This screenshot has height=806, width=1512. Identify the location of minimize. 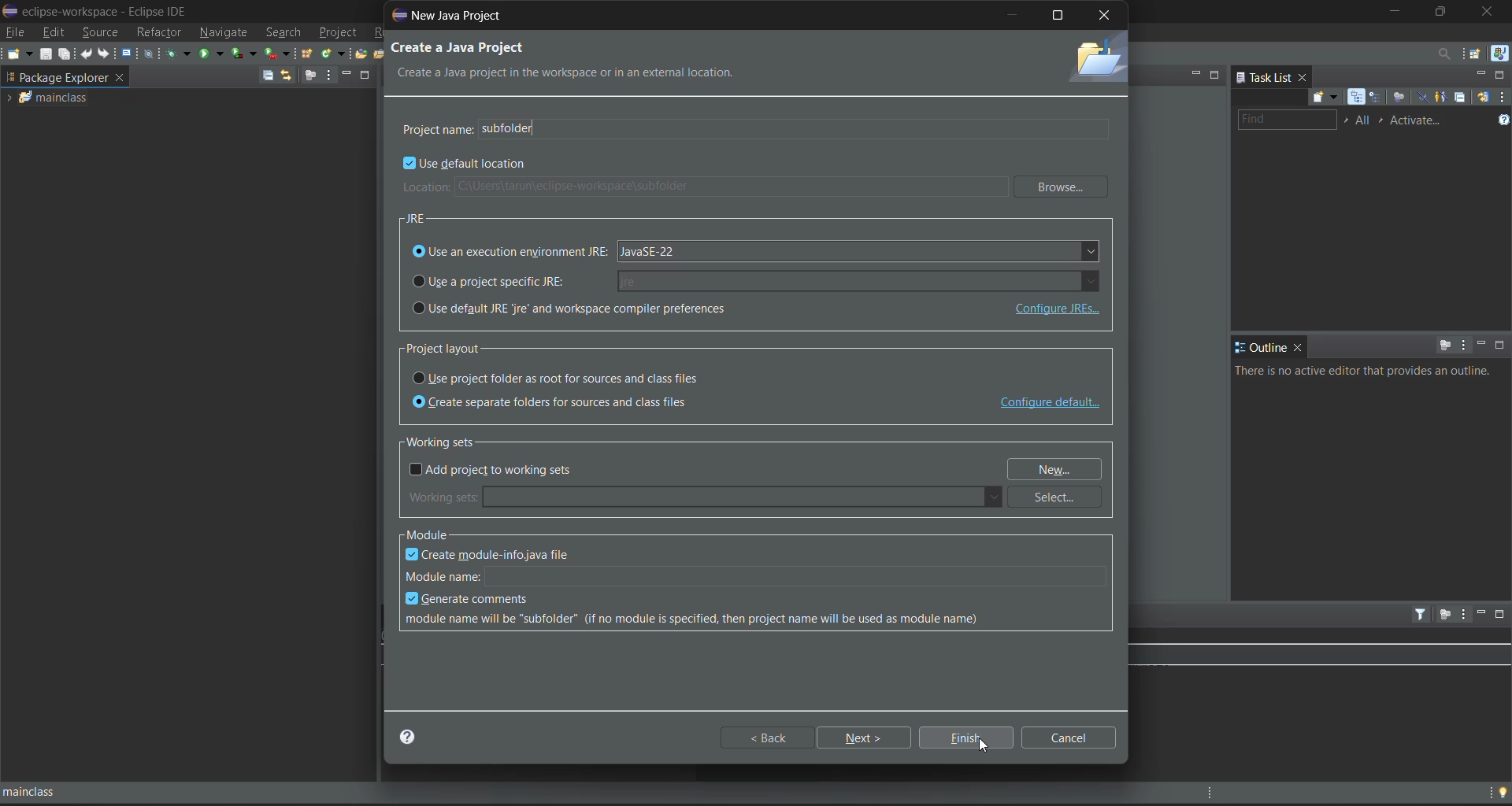
(1393, 13).